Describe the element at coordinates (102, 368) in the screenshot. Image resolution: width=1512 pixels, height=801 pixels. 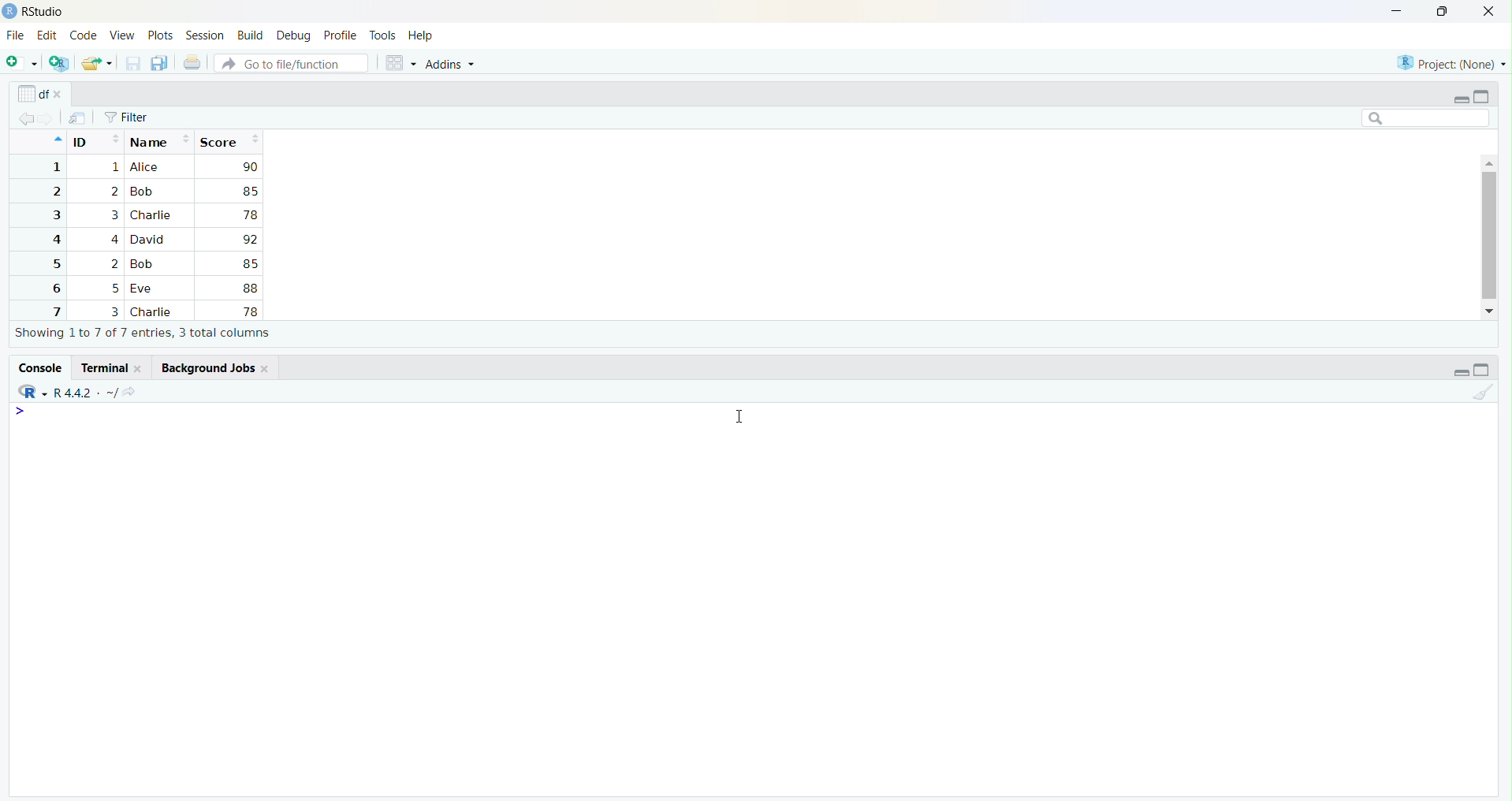
I see `terminal` at that location.